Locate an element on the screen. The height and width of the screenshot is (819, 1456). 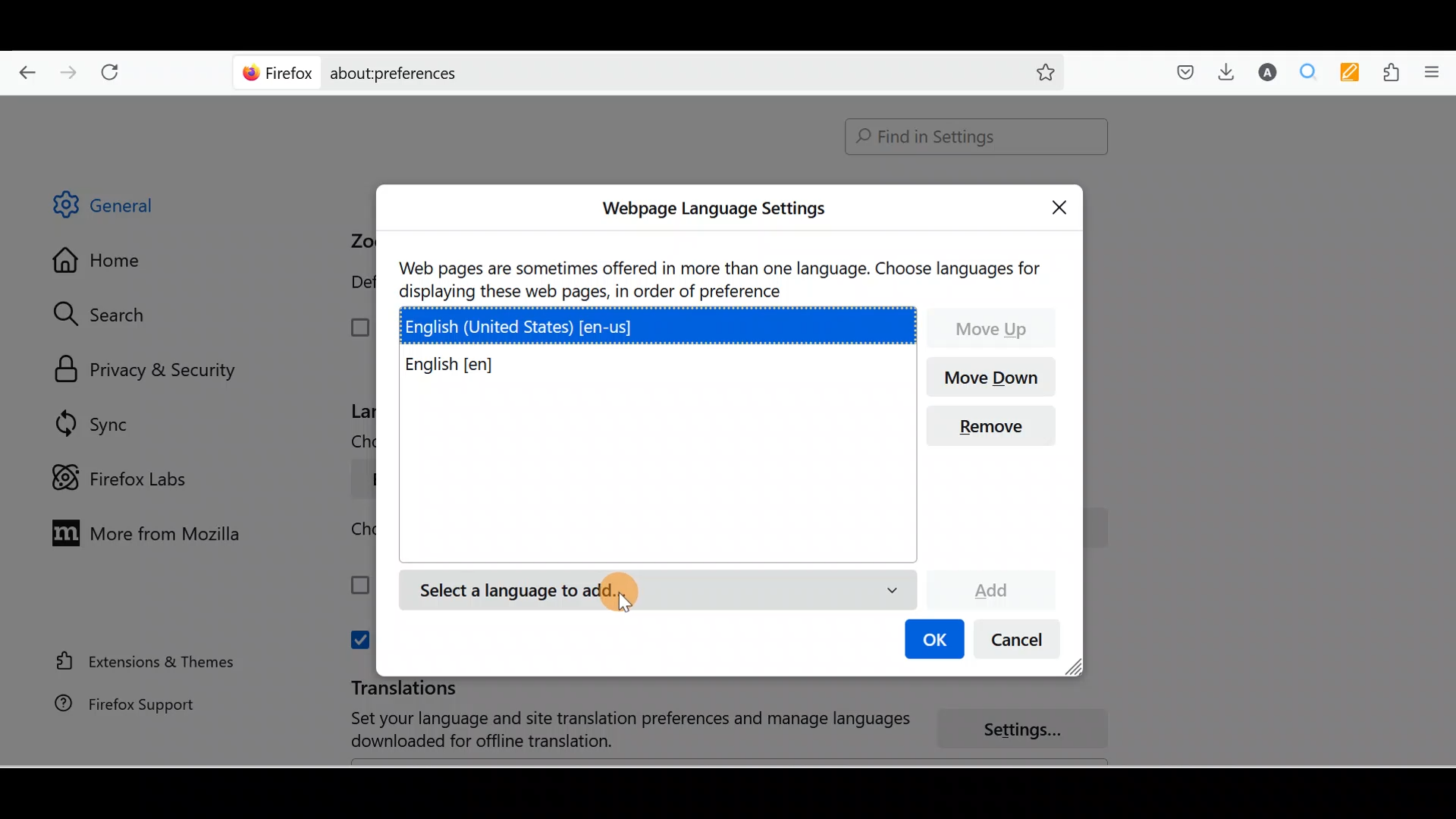
Scroll bar is located at coordinates (1445, 431).